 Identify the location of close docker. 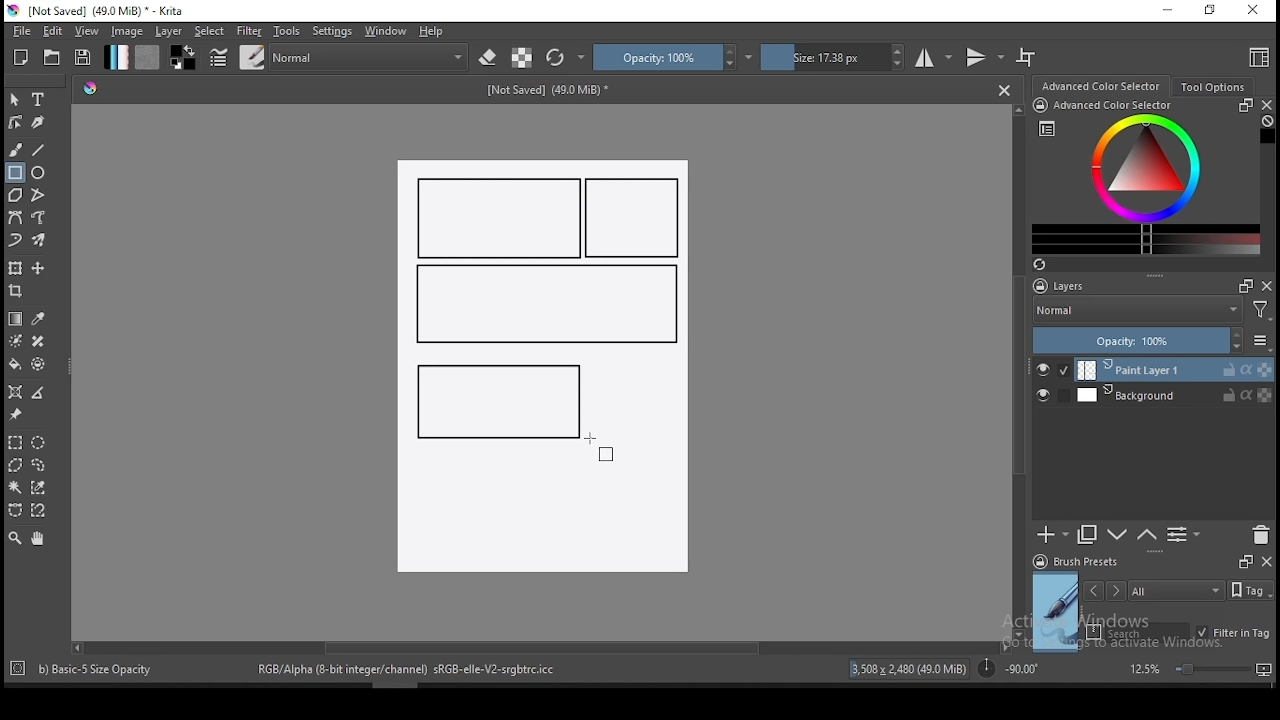
(1266, 105).